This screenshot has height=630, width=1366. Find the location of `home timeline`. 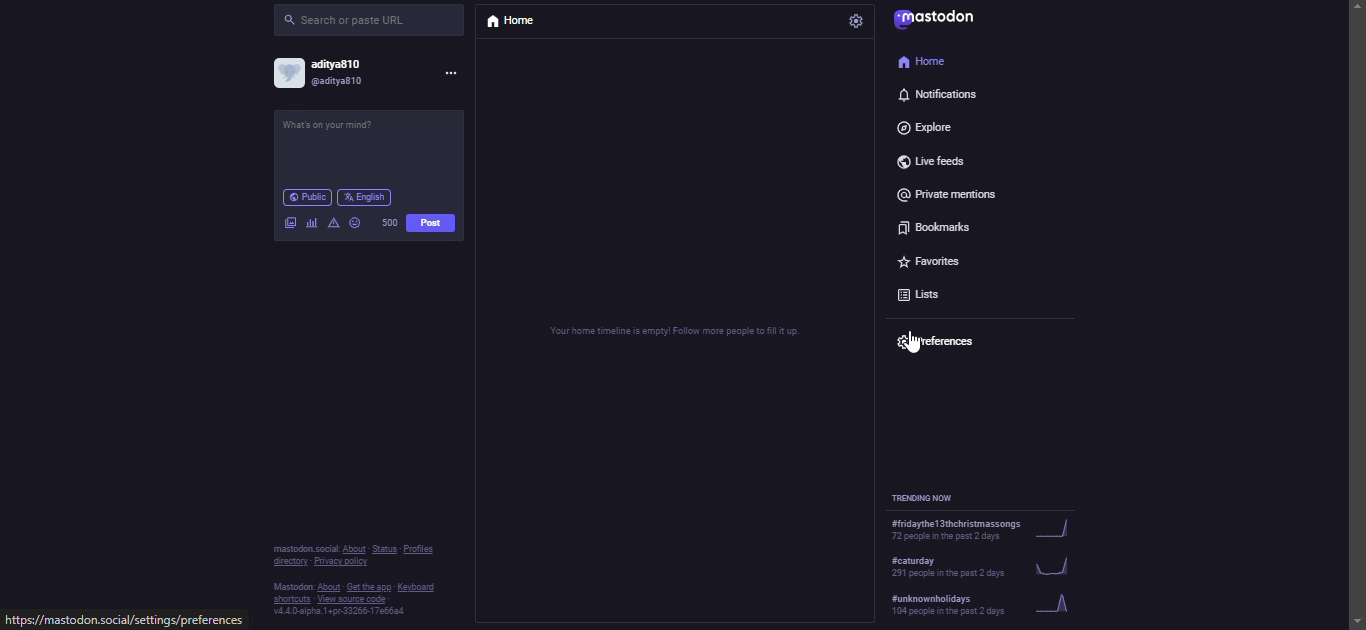

home timeline is located at coordinates (670, 333).